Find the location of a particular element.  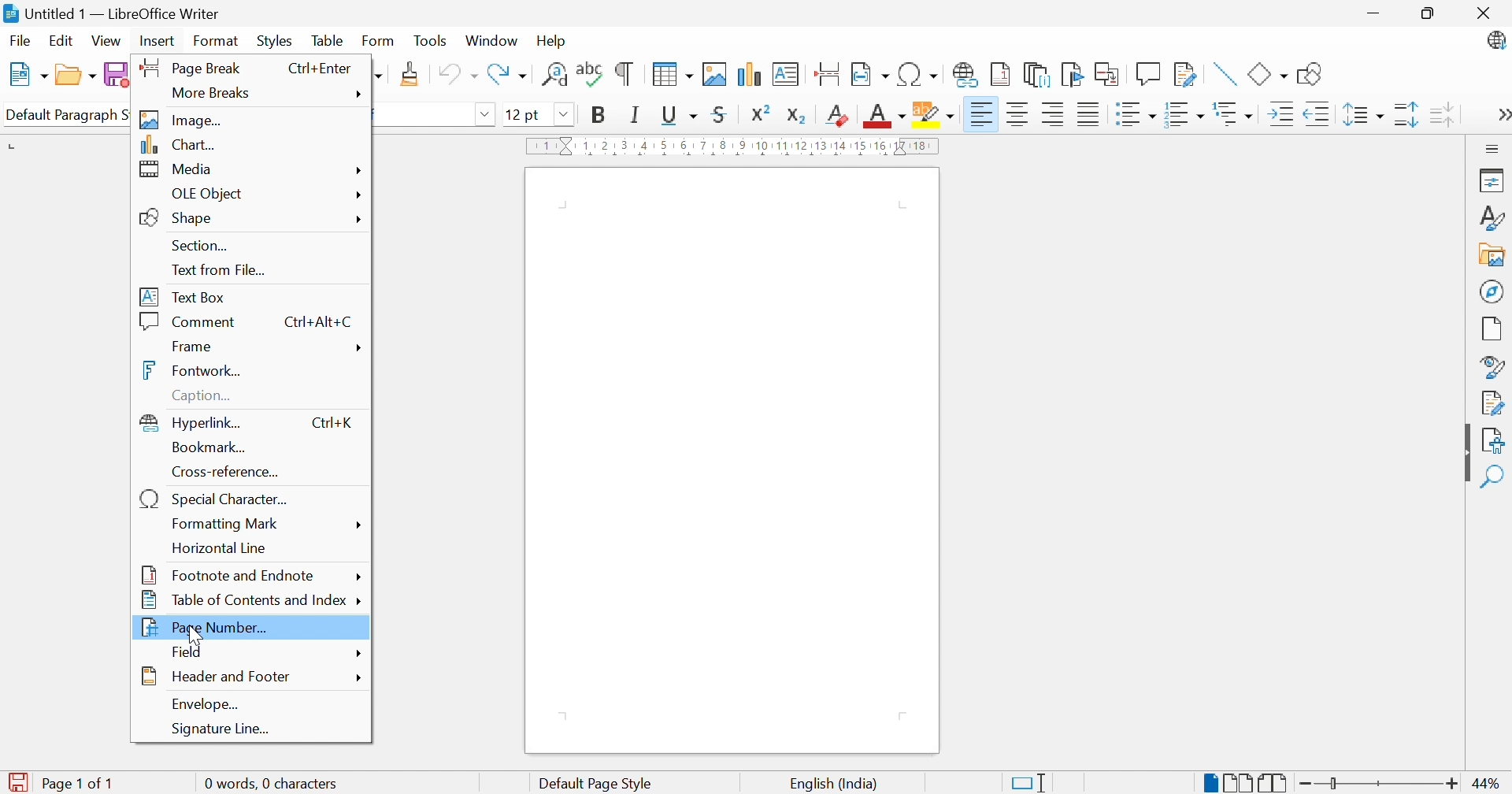

Default page style is located at coordinates (598, 784).